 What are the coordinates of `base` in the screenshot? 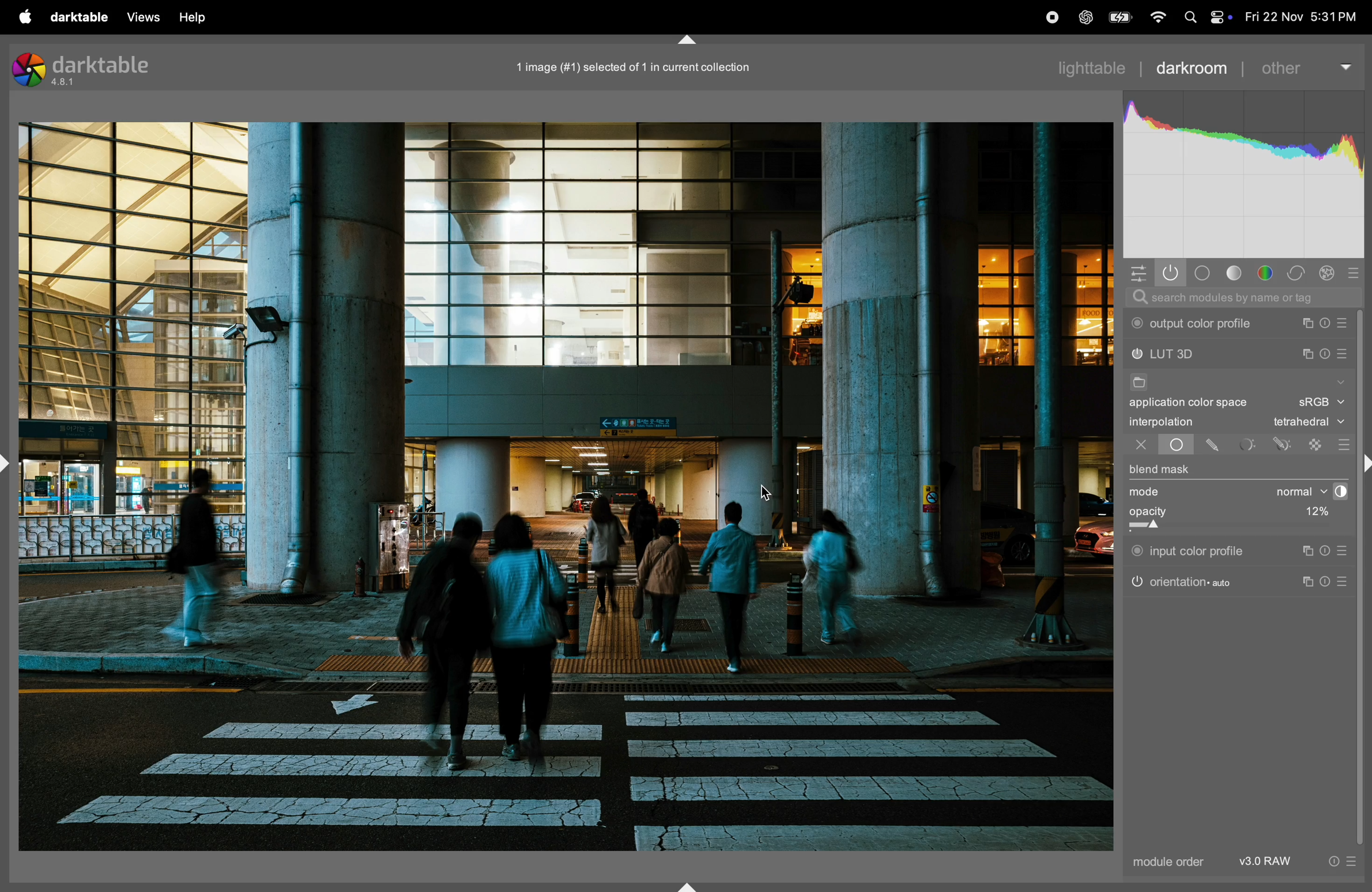 It's located at (1203, 273).